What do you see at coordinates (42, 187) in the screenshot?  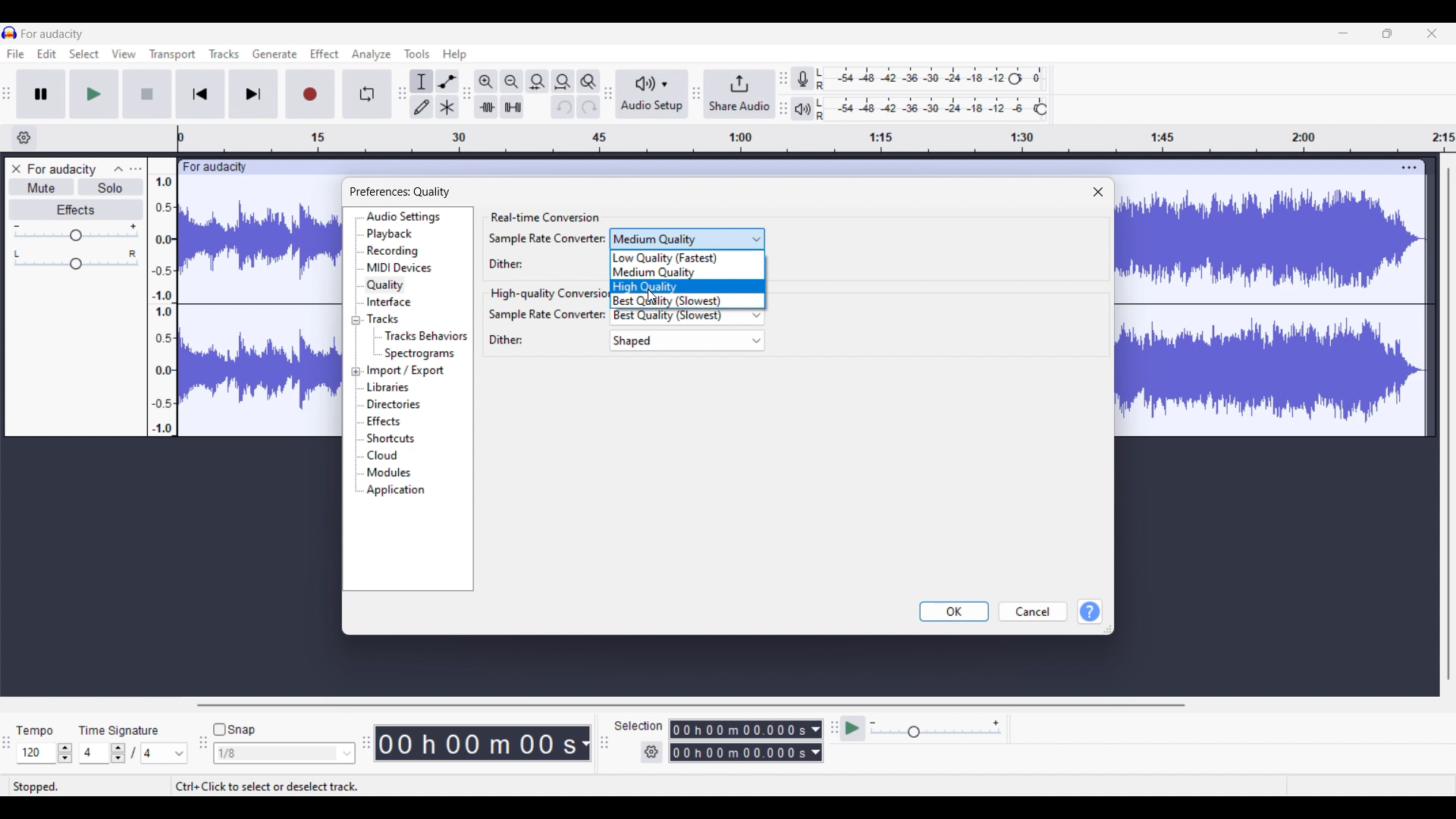 I see `Mute` at bounding box center [42, 187].